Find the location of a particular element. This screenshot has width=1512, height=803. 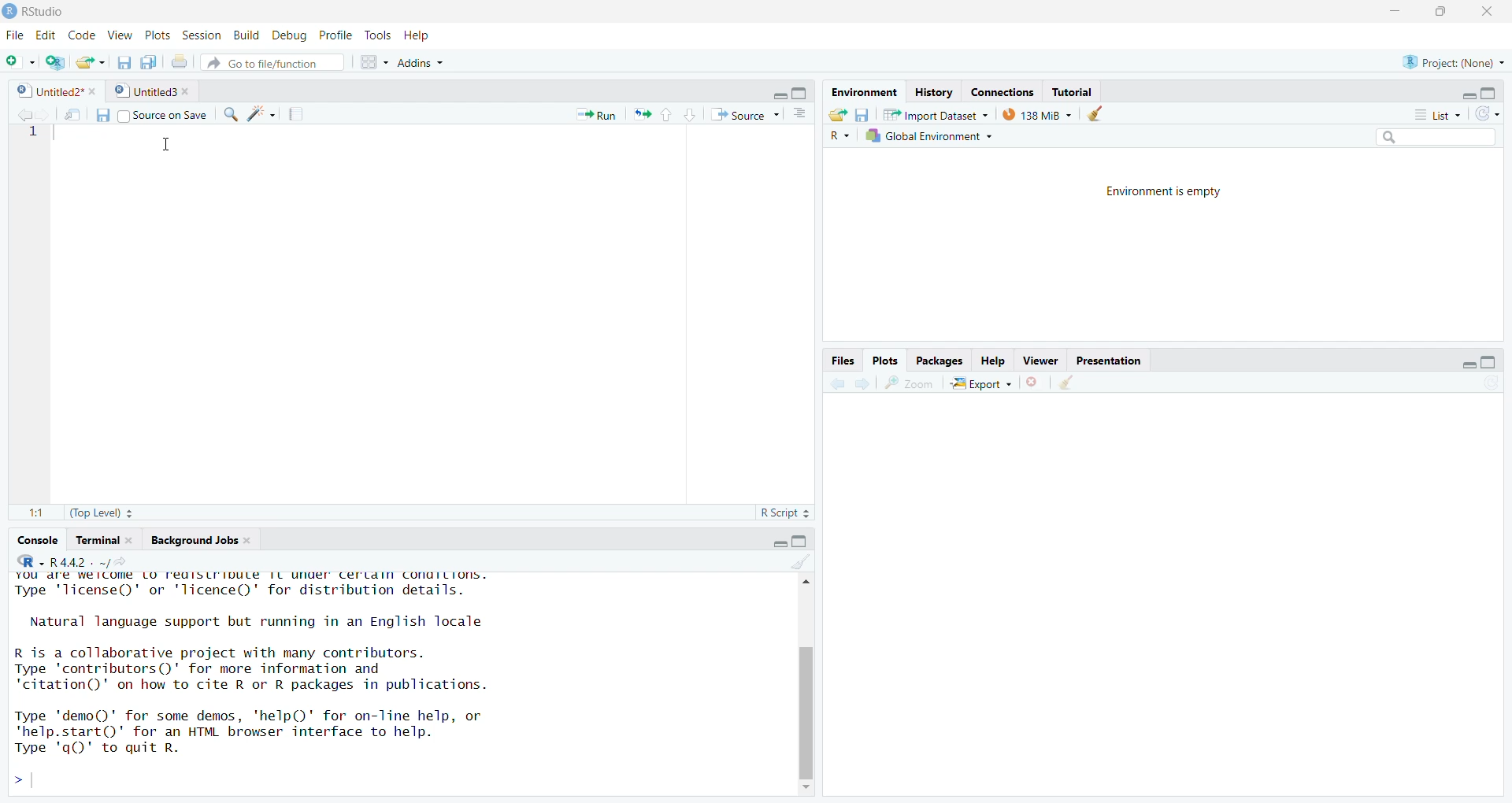

up/down is located at coordinates (675, 115).